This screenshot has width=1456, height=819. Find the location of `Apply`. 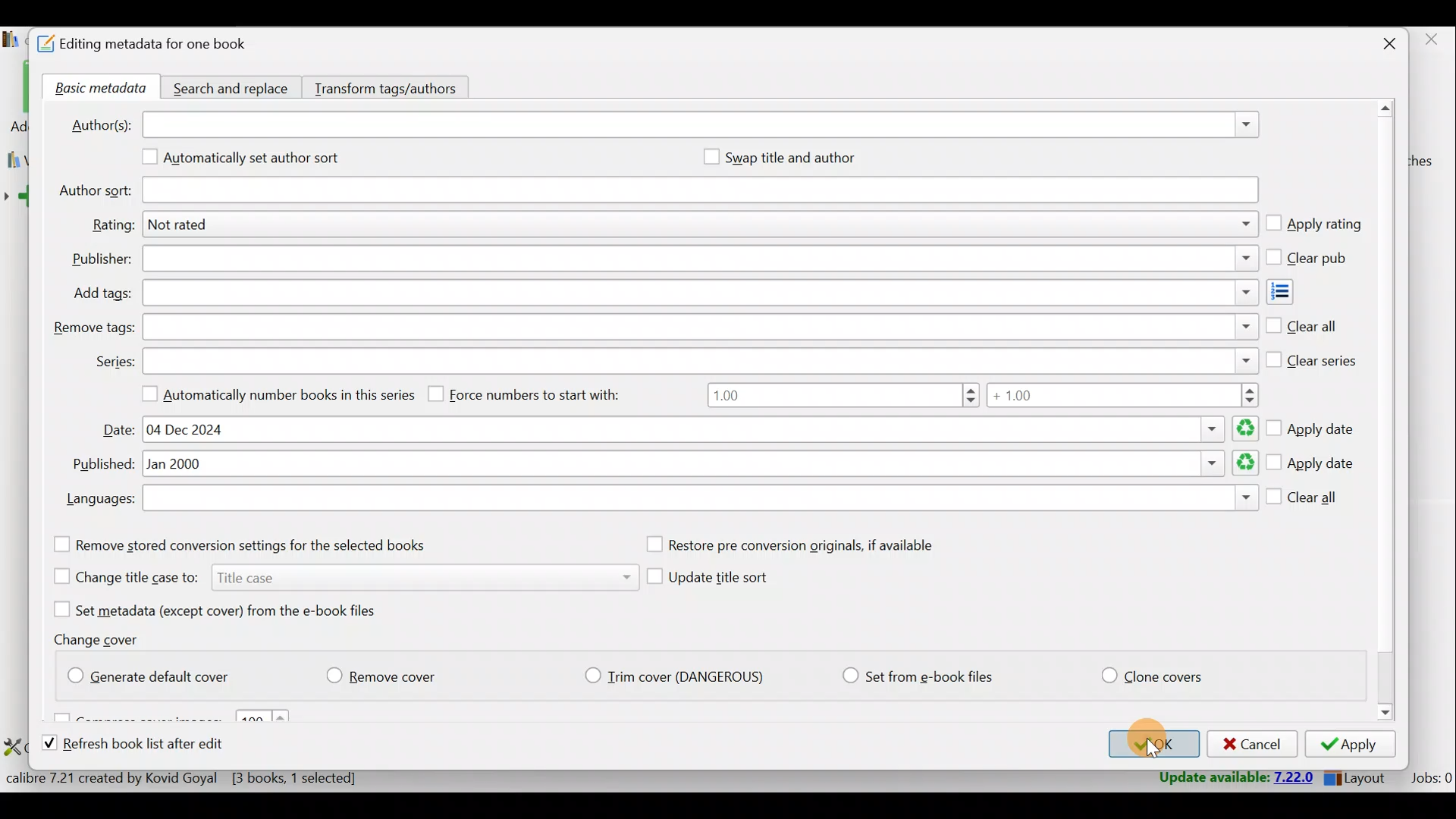

Apply is located at coordinates (1350, 744).